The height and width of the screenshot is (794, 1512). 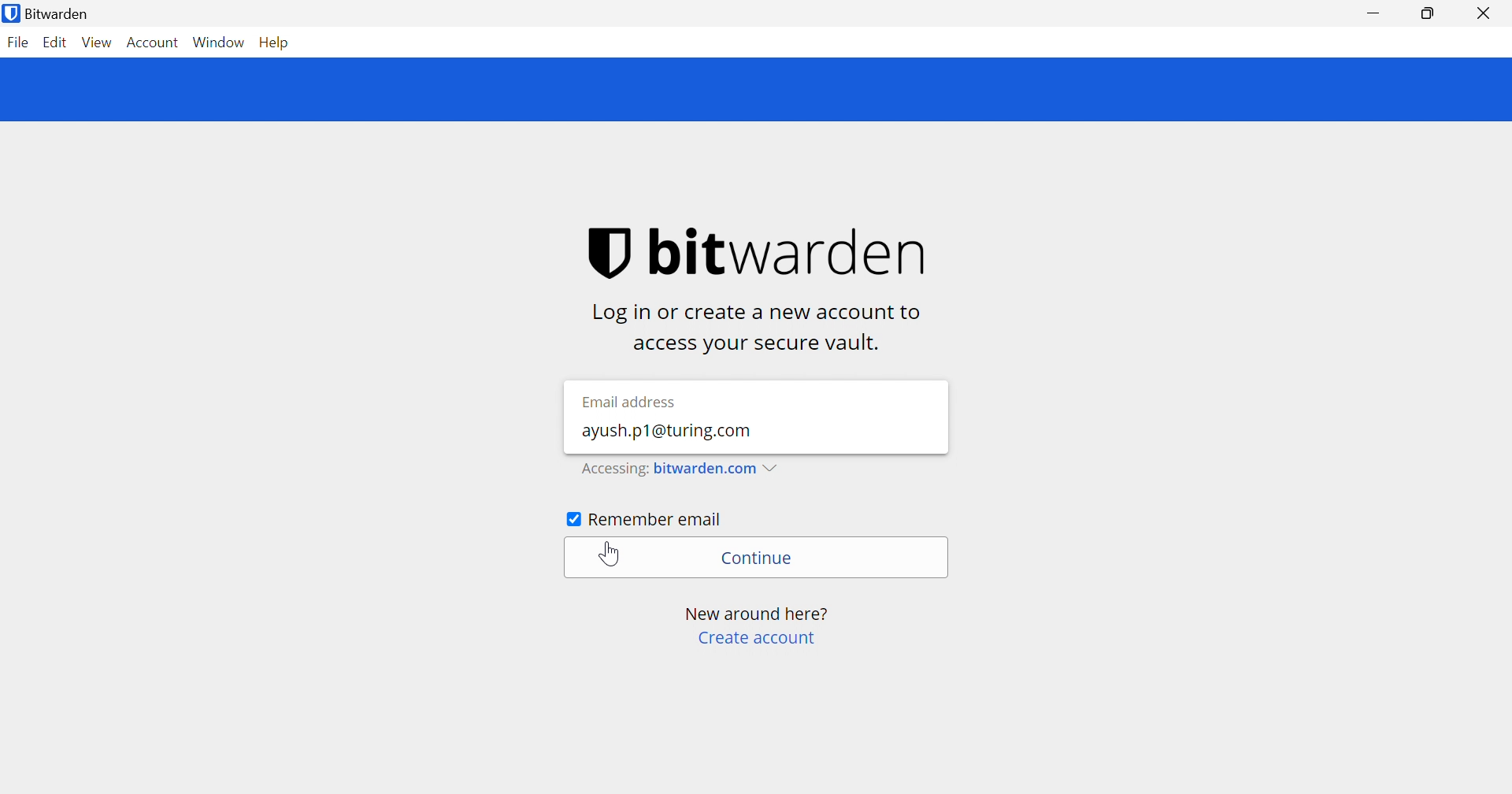 What do you see at coordinates (17, 43) in the screenshot?
I see `File` at bounding box center [17, 43].